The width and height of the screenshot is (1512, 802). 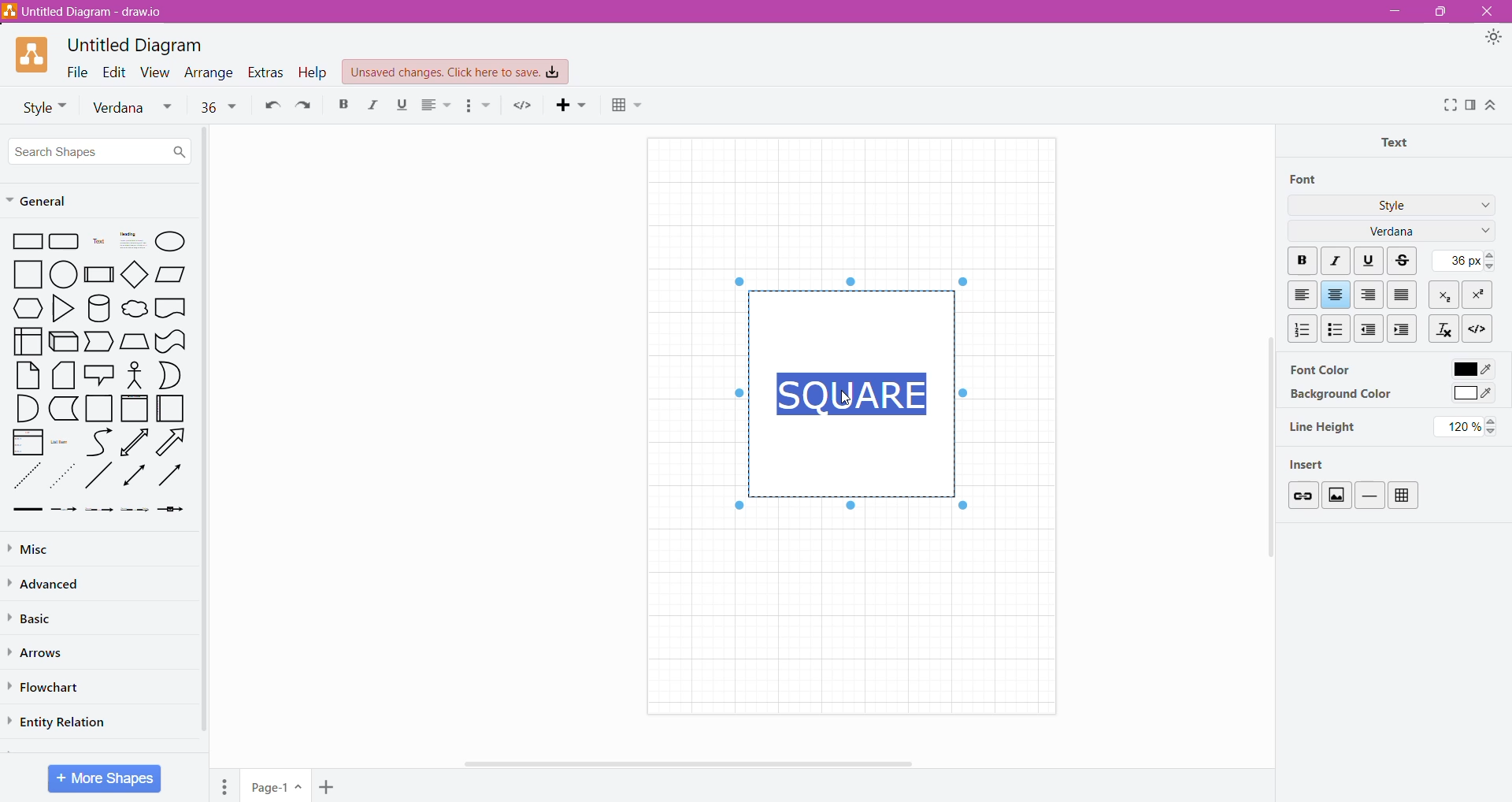 What do you see at coordinates (574, 104) in the screenshot?
I see `Insert` at bounding box center [574, 104].